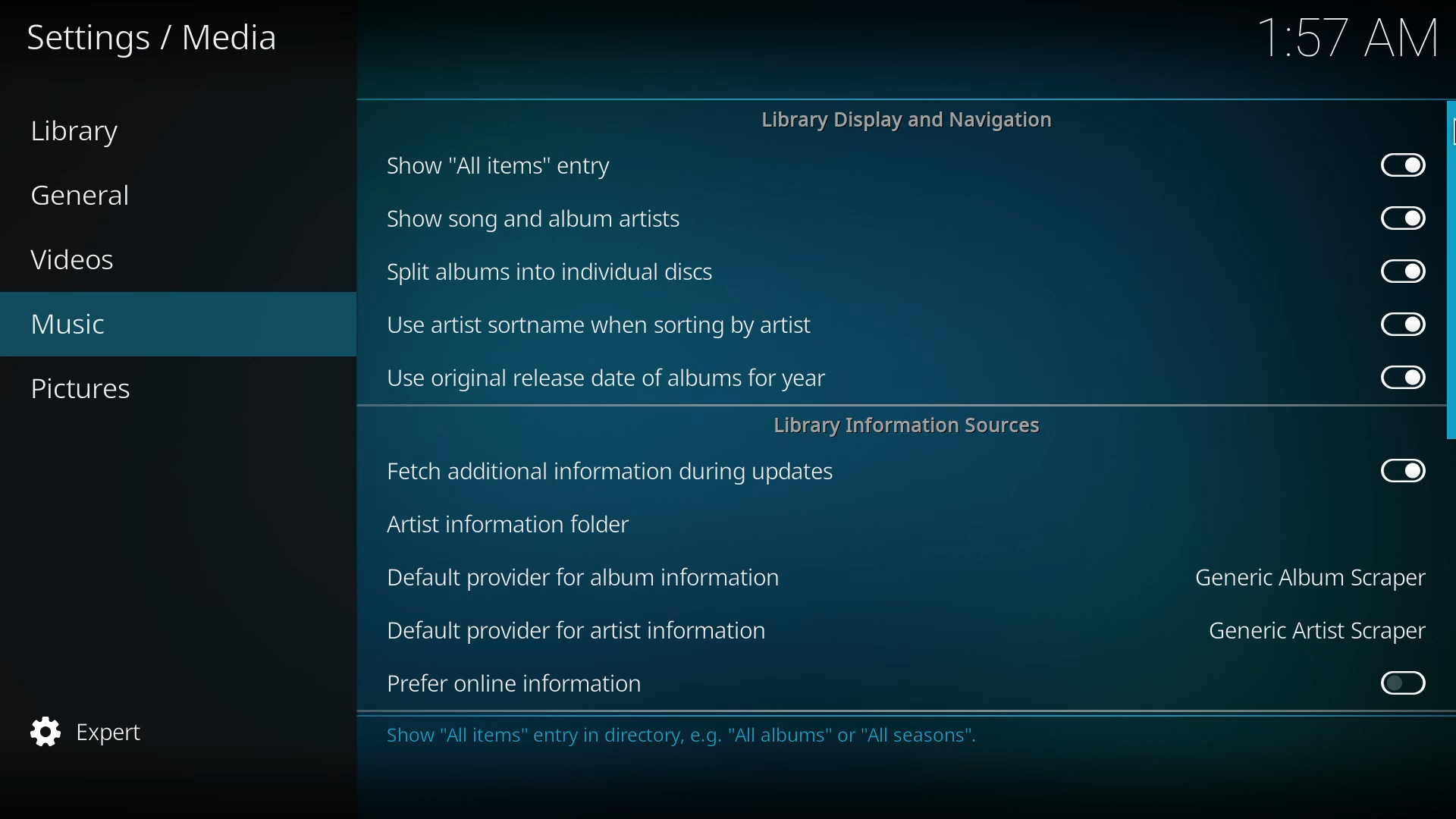  Describe the element at coordinates (68, 325) in the screenshot. I see `music` at that location.